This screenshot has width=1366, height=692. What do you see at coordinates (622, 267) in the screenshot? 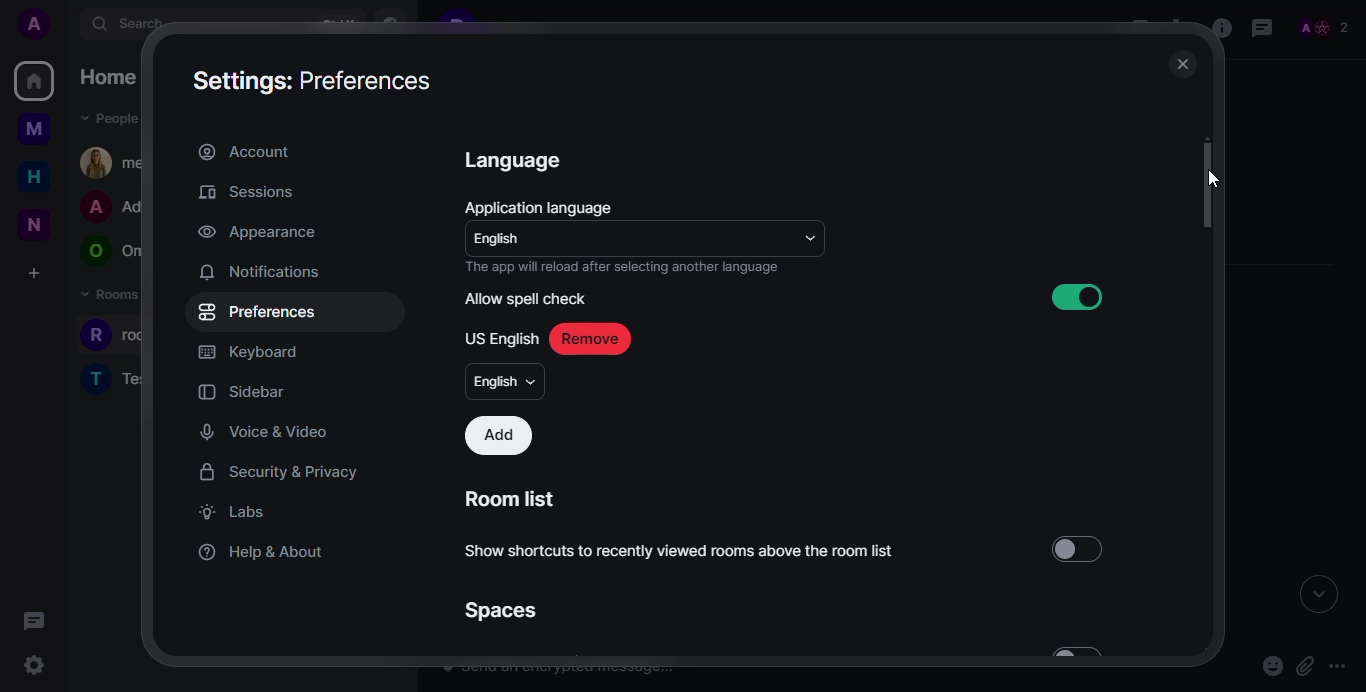
I see `The app will reload after selecting another language` at bounding box center [622, 267].